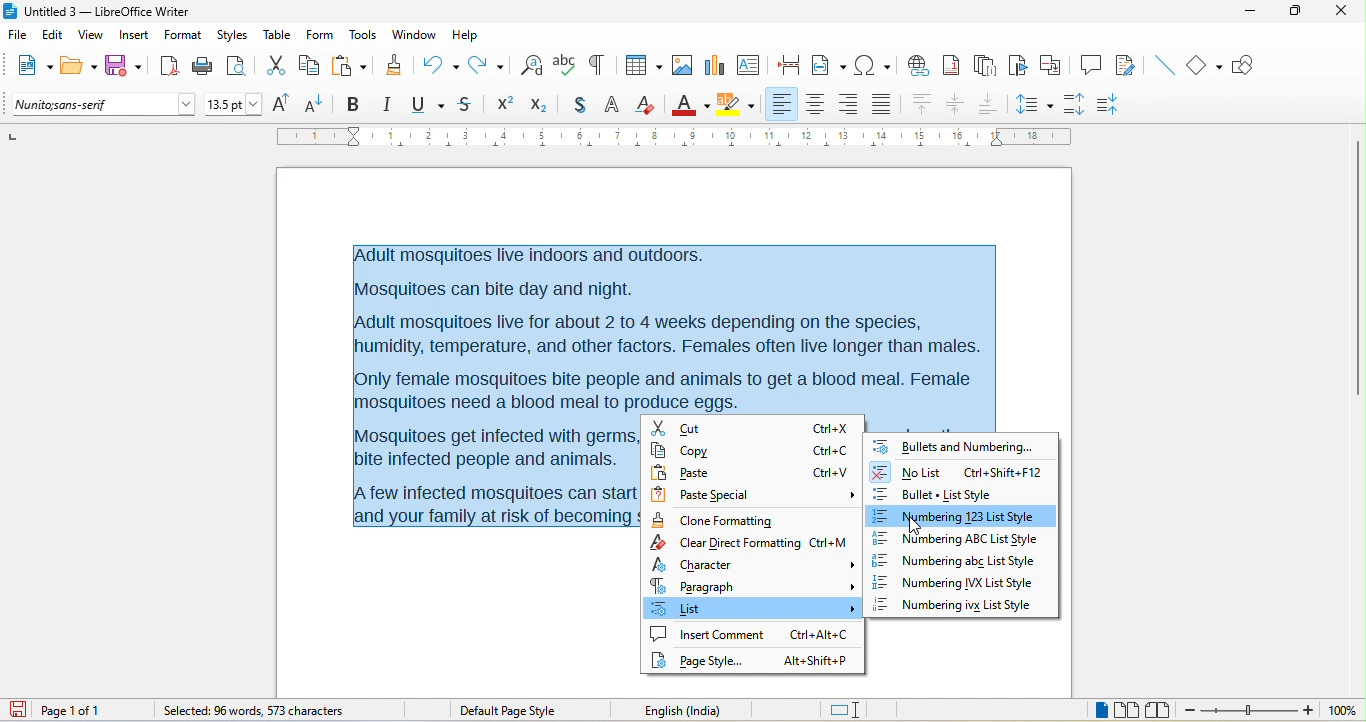 The image size is (1366, 722). I want to click on clear direct formatting, so click(648, 106).